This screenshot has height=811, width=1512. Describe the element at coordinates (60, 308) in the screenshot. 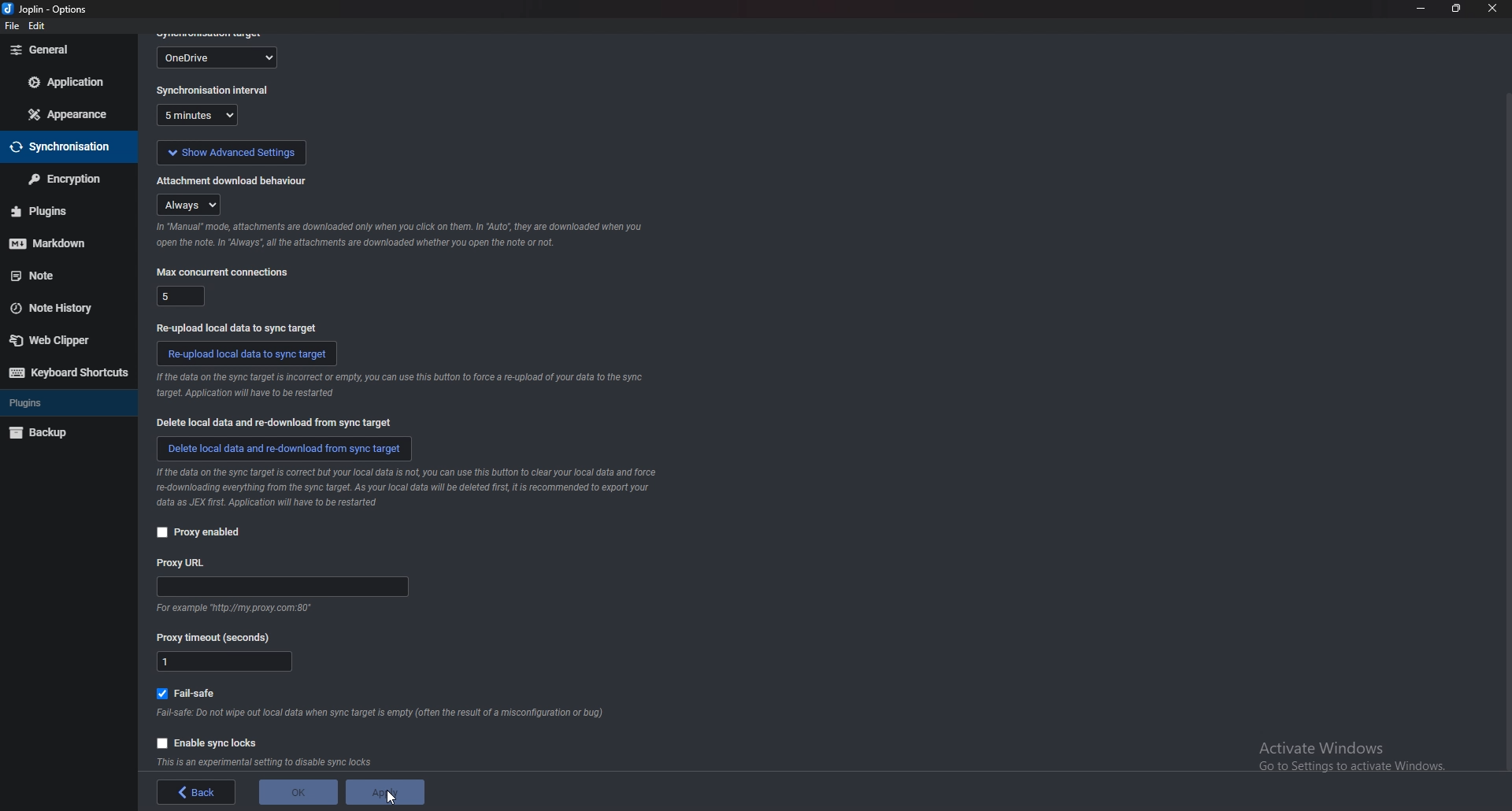

I see `note history` at that location.